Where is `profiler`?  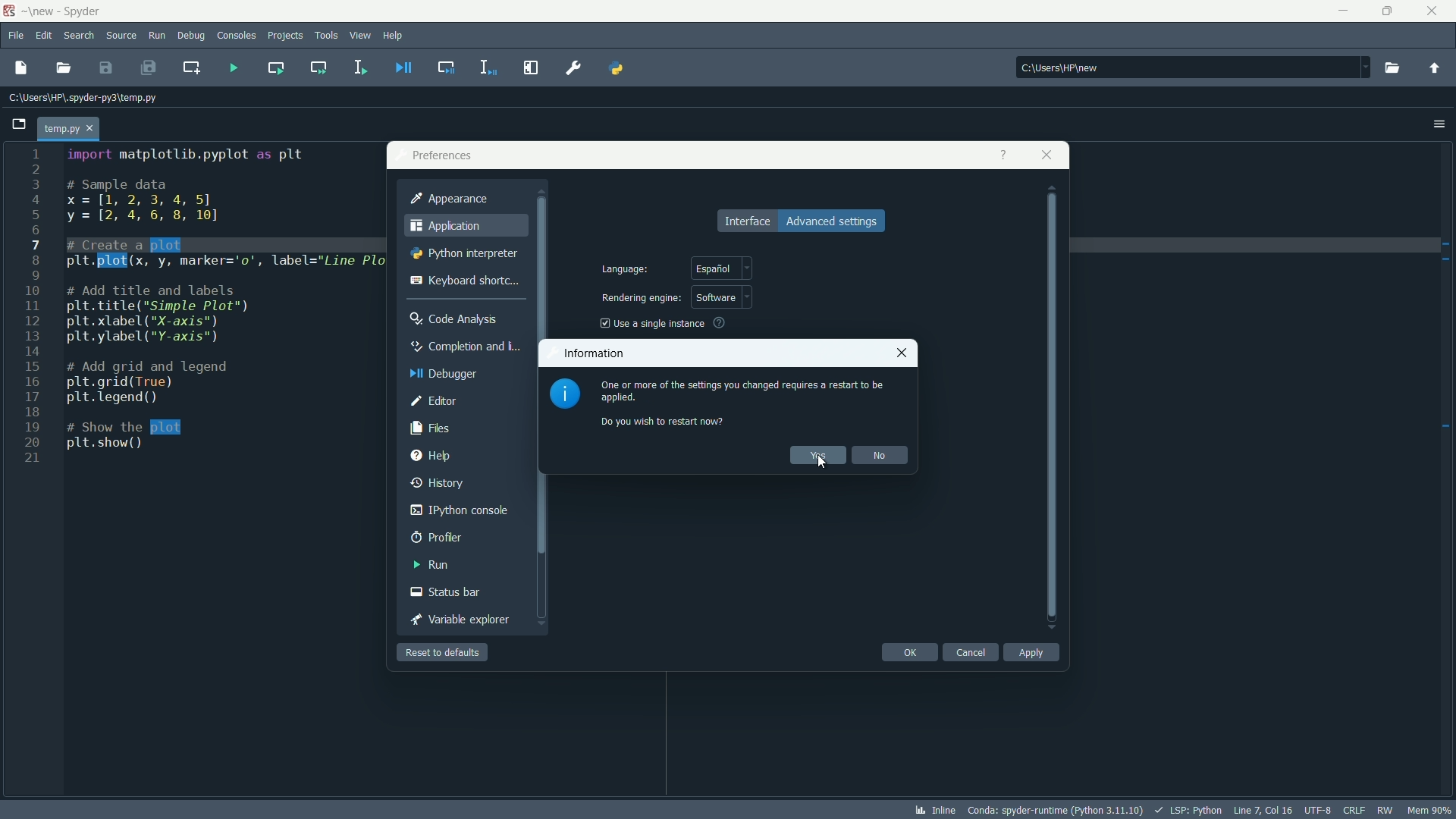 profiler is located at coordinates (438, 537).